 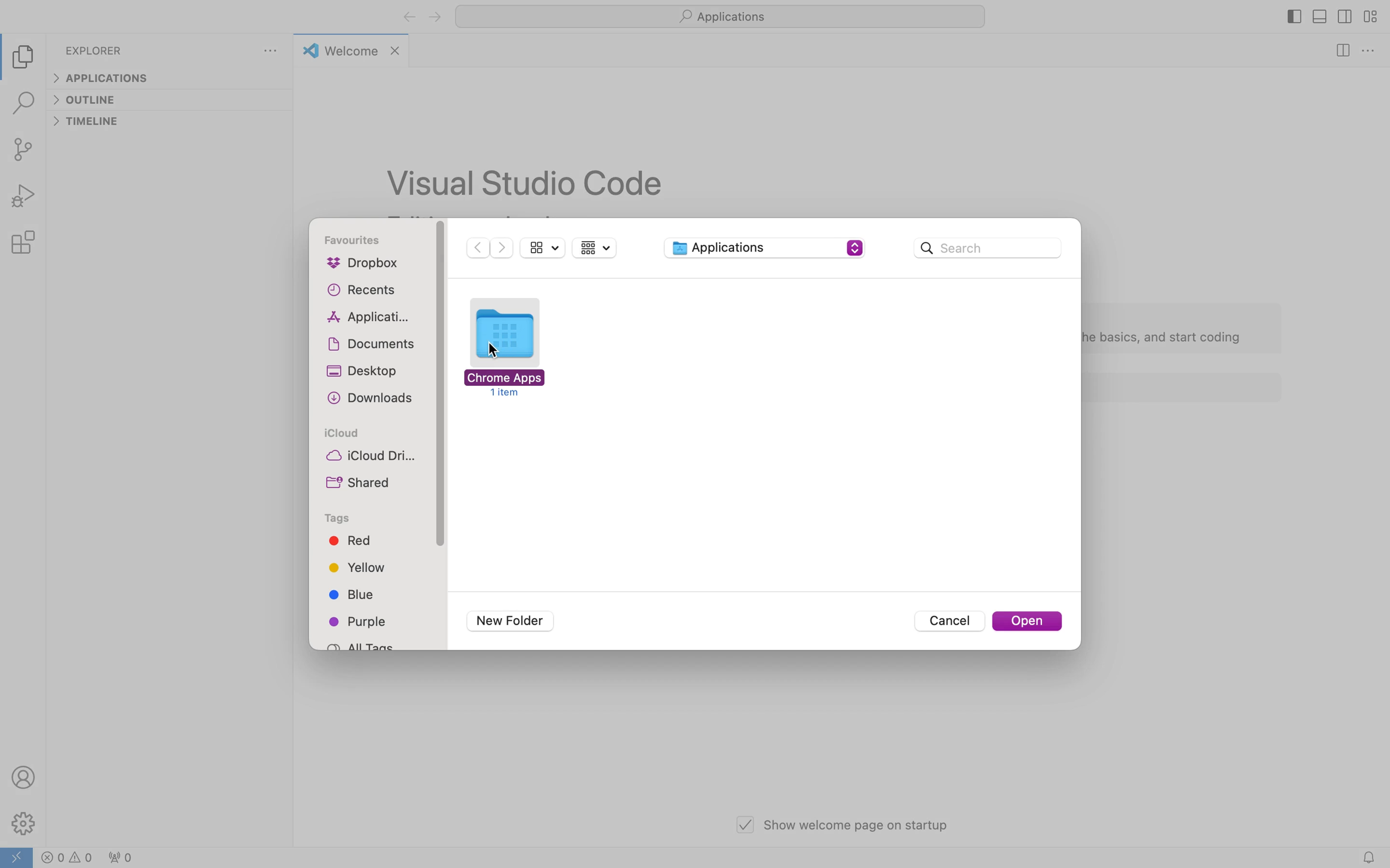 What do you see at coordinates (1295, 18) in the screenshot?
I see `toggle primary side bar` at bounding box center [1295, 18].